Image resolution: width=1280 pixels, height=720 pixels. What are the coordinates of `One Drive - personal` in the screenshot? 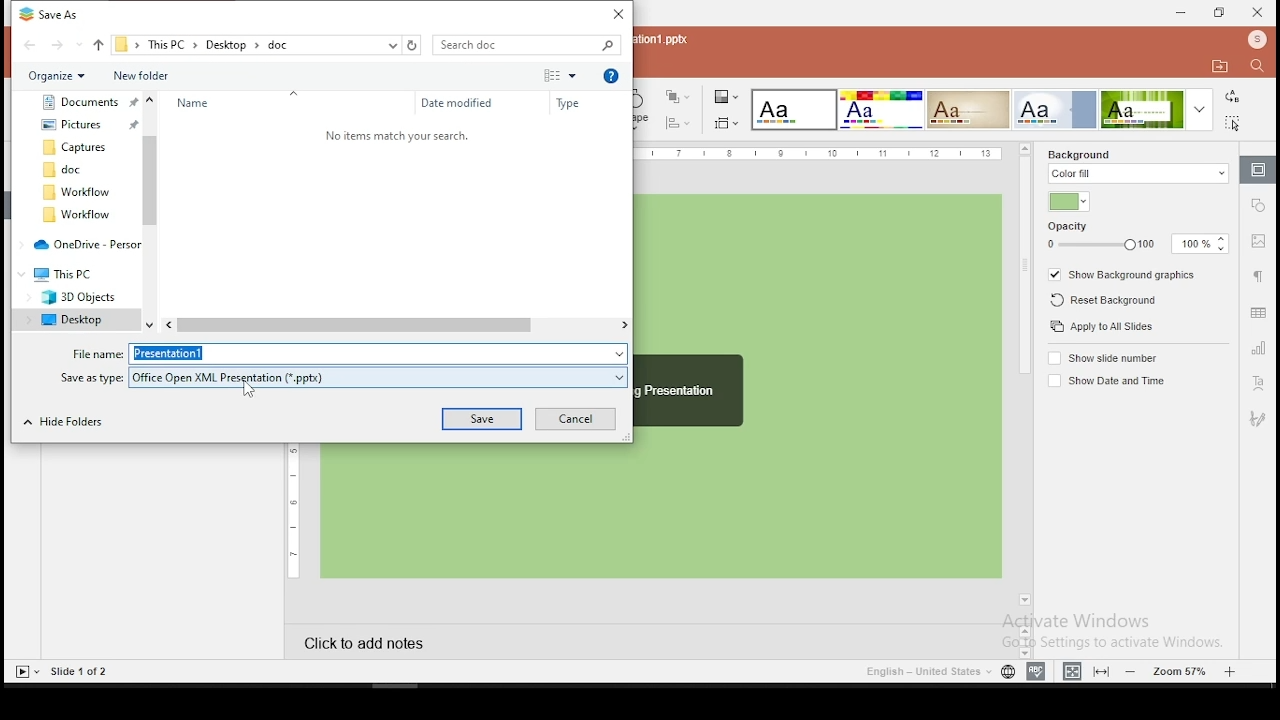 It's located at (84, 244).